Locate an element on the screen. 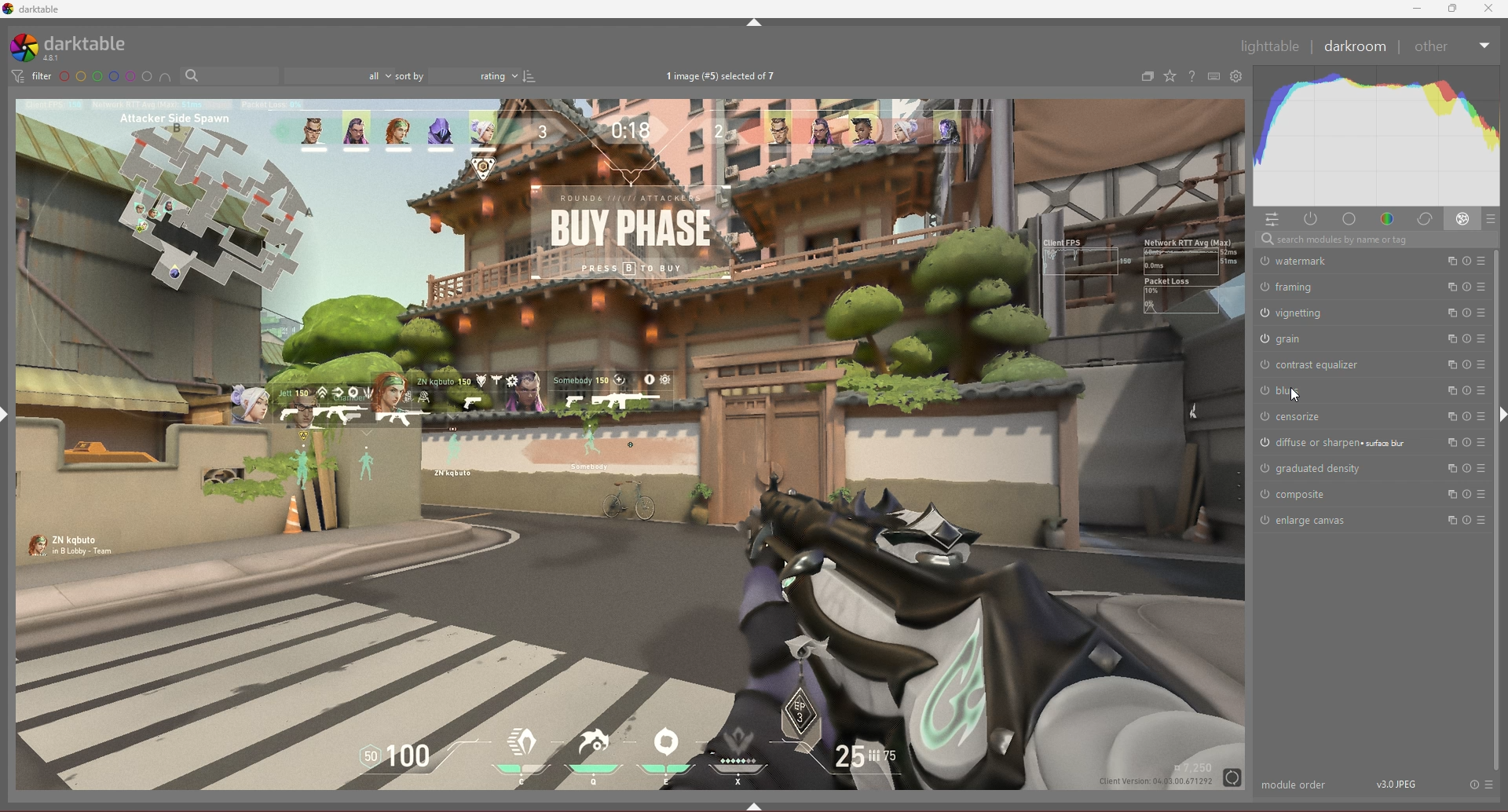 This screenshot has width=1508, height=812. open global preference is located at coordinates (1237, 77).